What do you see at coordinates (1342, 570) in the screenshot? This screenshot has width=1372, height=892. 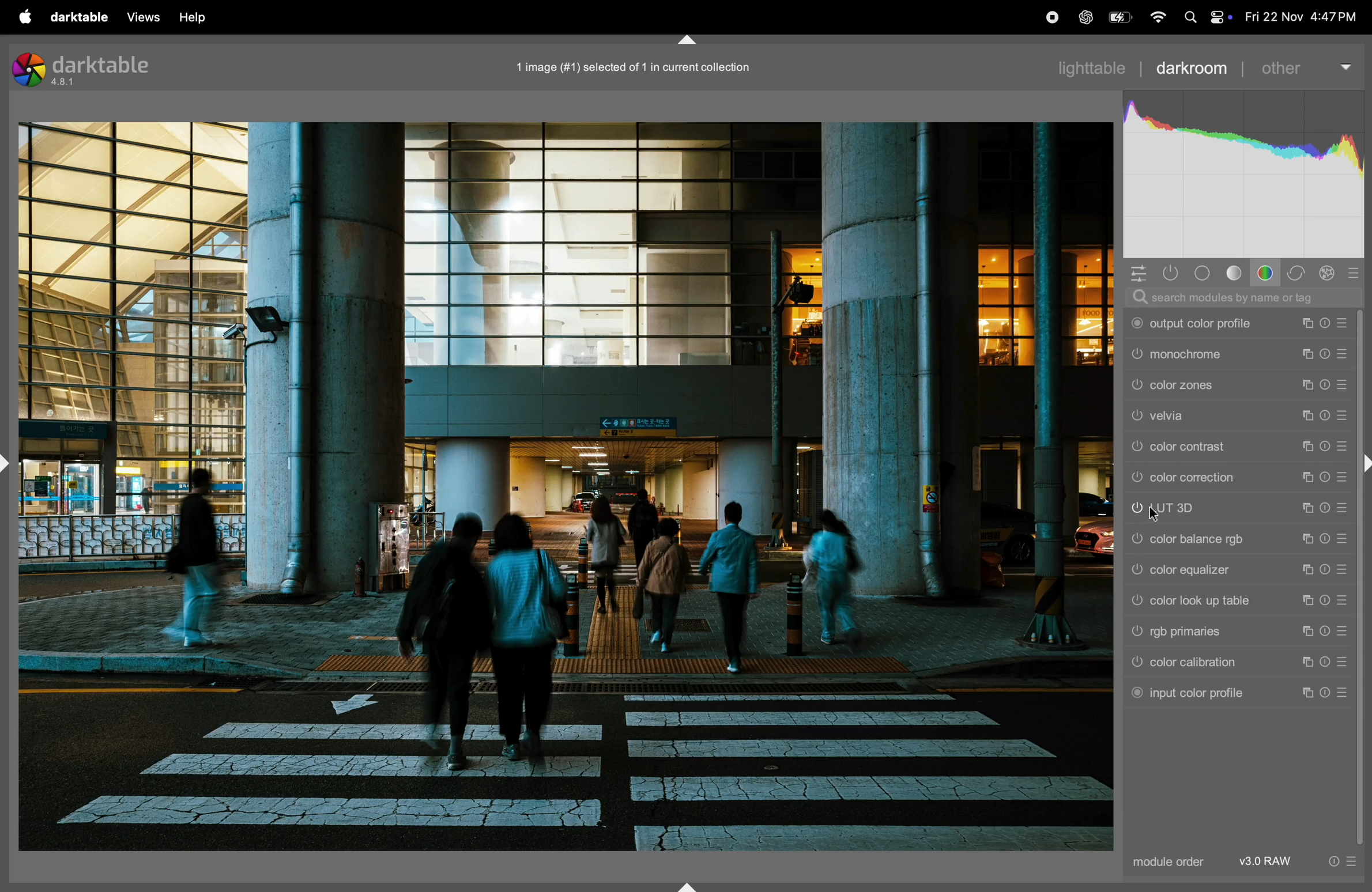 I see `presets` at bounding box center [1342, 570].